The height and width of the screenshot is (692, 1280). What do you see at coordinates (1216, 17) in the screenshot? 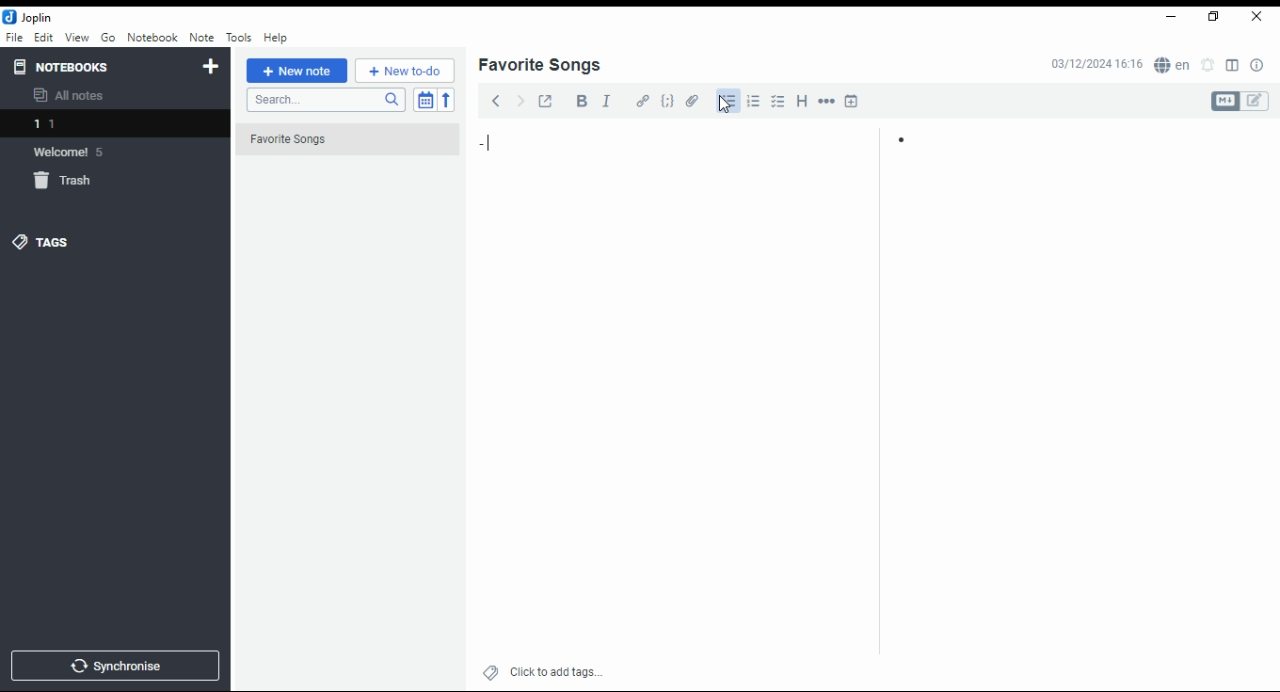
I see `restore` at bounding box center [1216, 17].